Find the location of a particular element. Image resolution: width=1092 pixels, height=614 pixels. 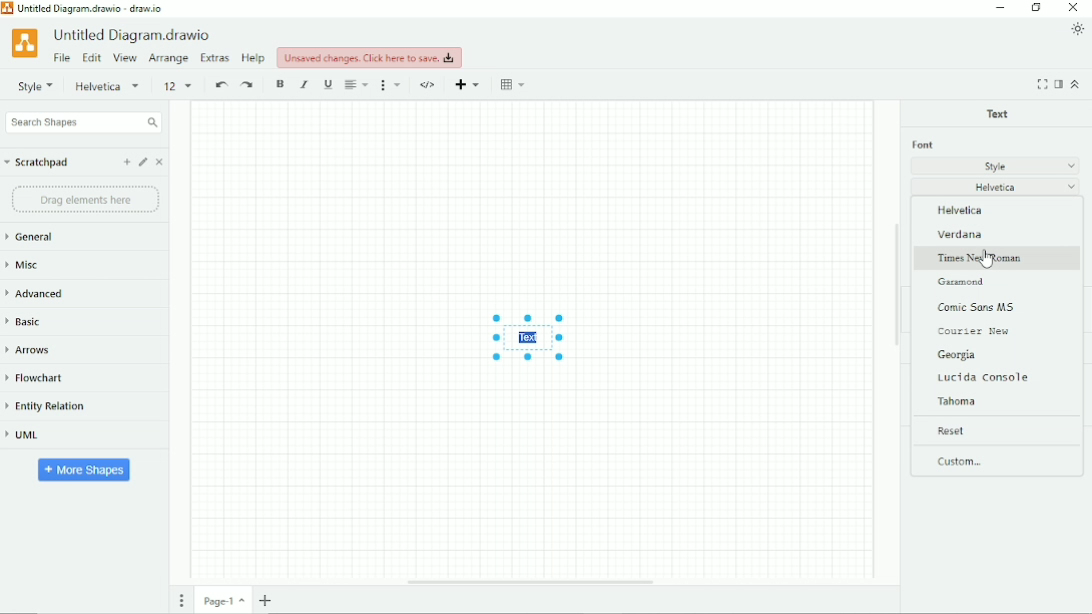

Garamond is located at coordinates (964, 283).